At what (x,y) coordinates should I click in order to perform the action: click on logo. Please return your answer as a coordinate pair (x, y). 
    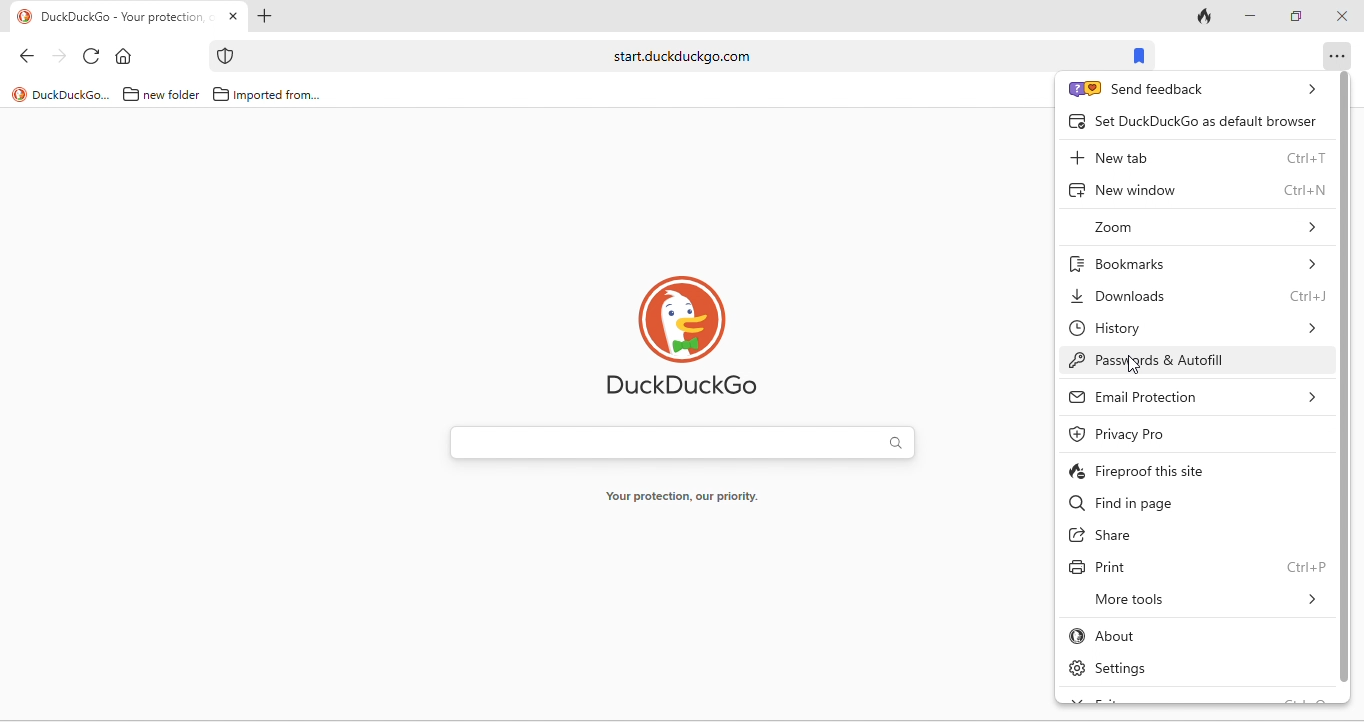
    Looking at the image, I should click on (25, 17).